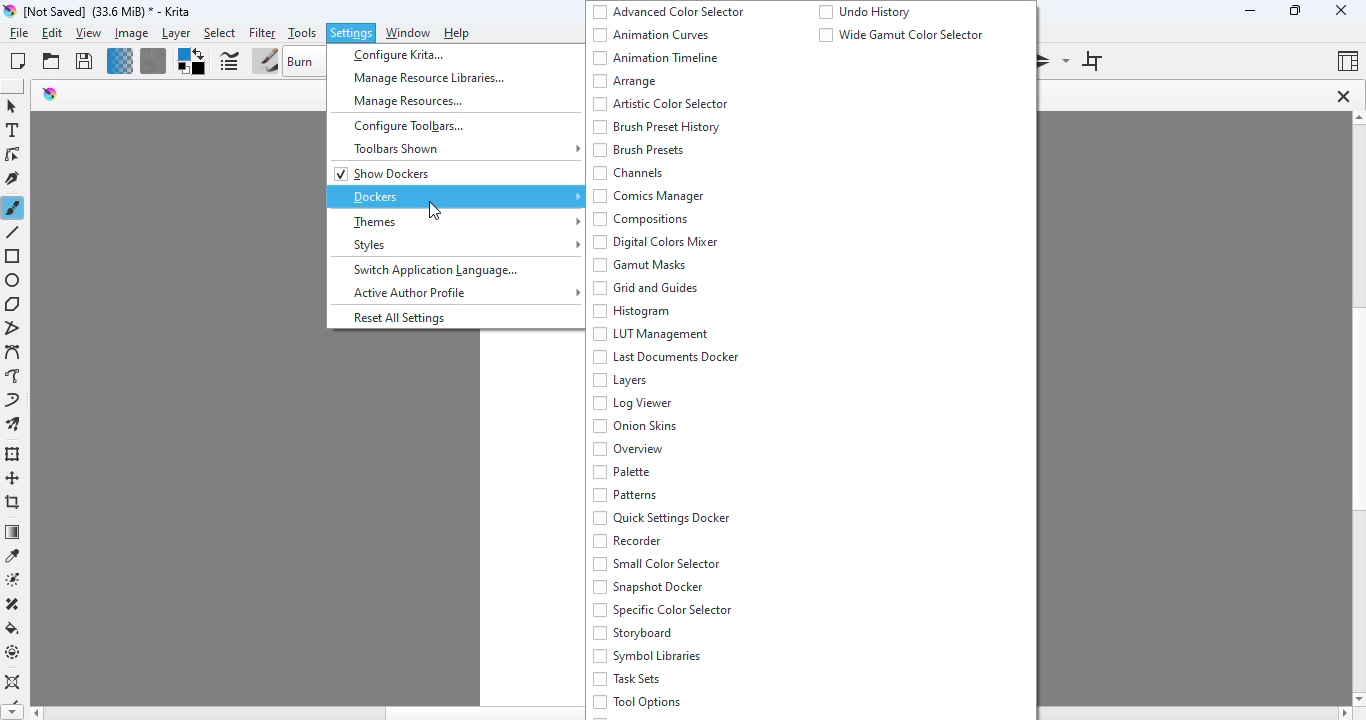  Describe the element at coordinates (15, 329) in the screenshot. I see `polyline tool` at that location.